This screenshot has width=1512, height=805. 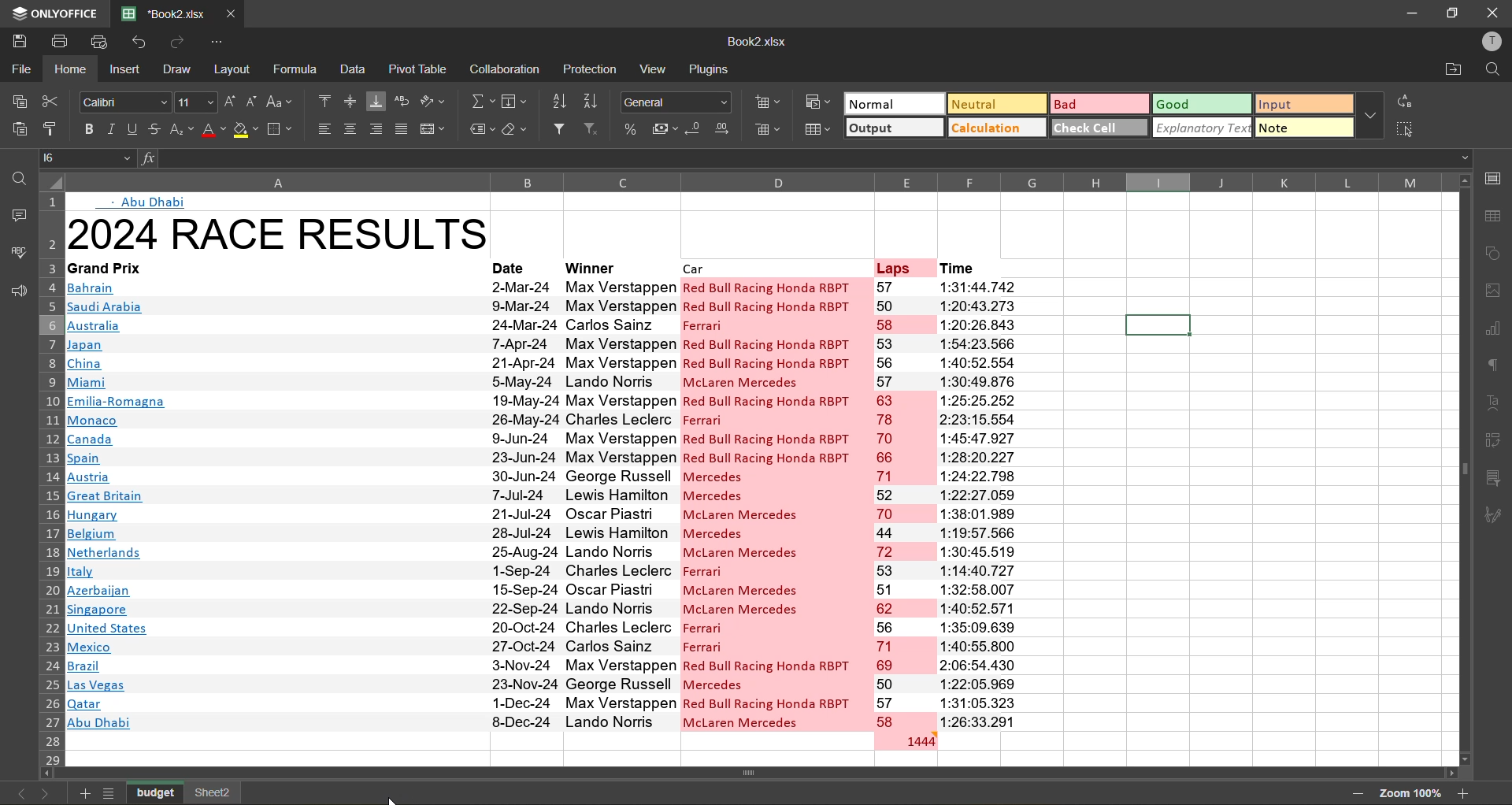 I want to click on sort descending, so click(x=595, y=99).